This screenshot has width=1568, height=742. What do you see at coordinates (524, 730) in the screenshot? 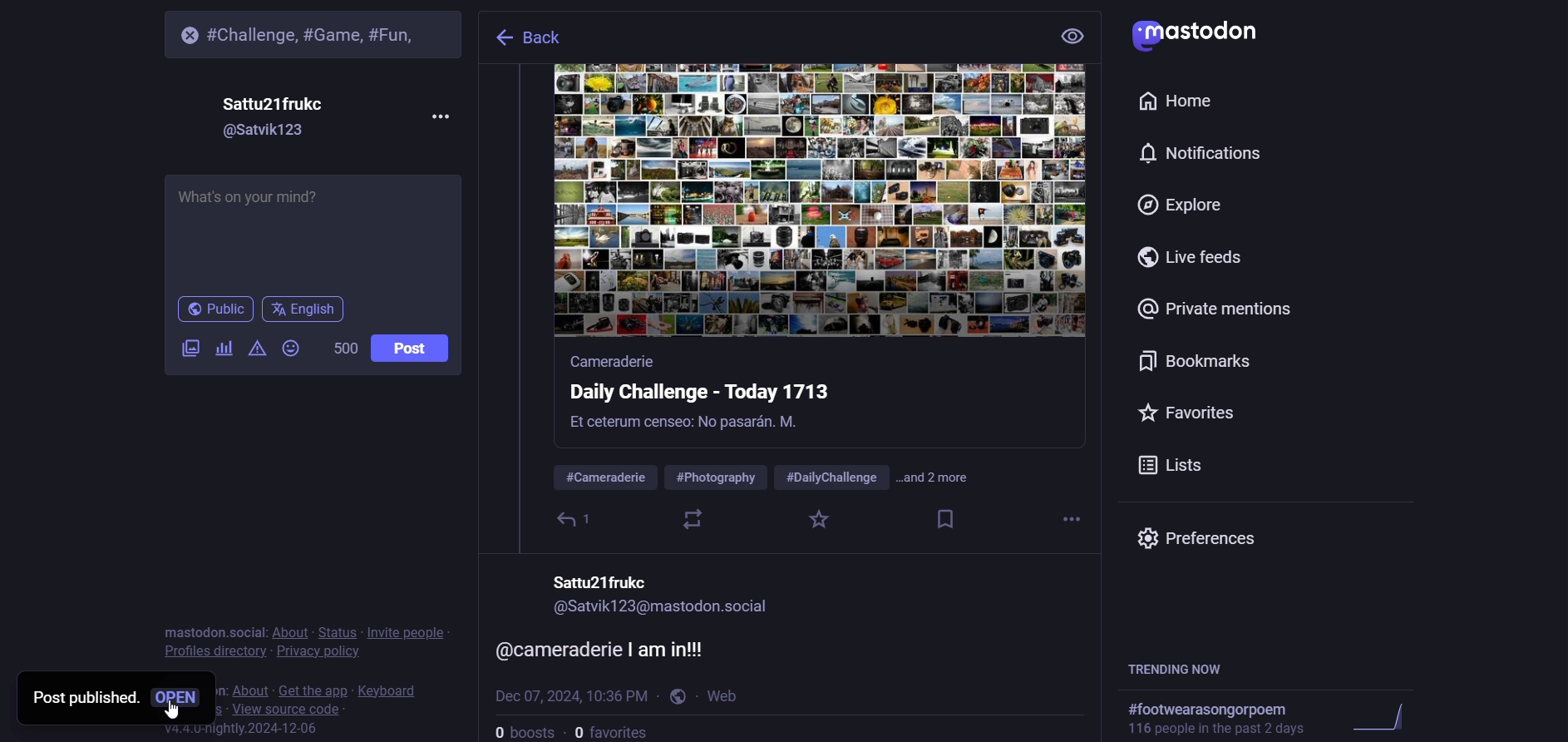
I see `boosts` at bounding box center [524, 730].